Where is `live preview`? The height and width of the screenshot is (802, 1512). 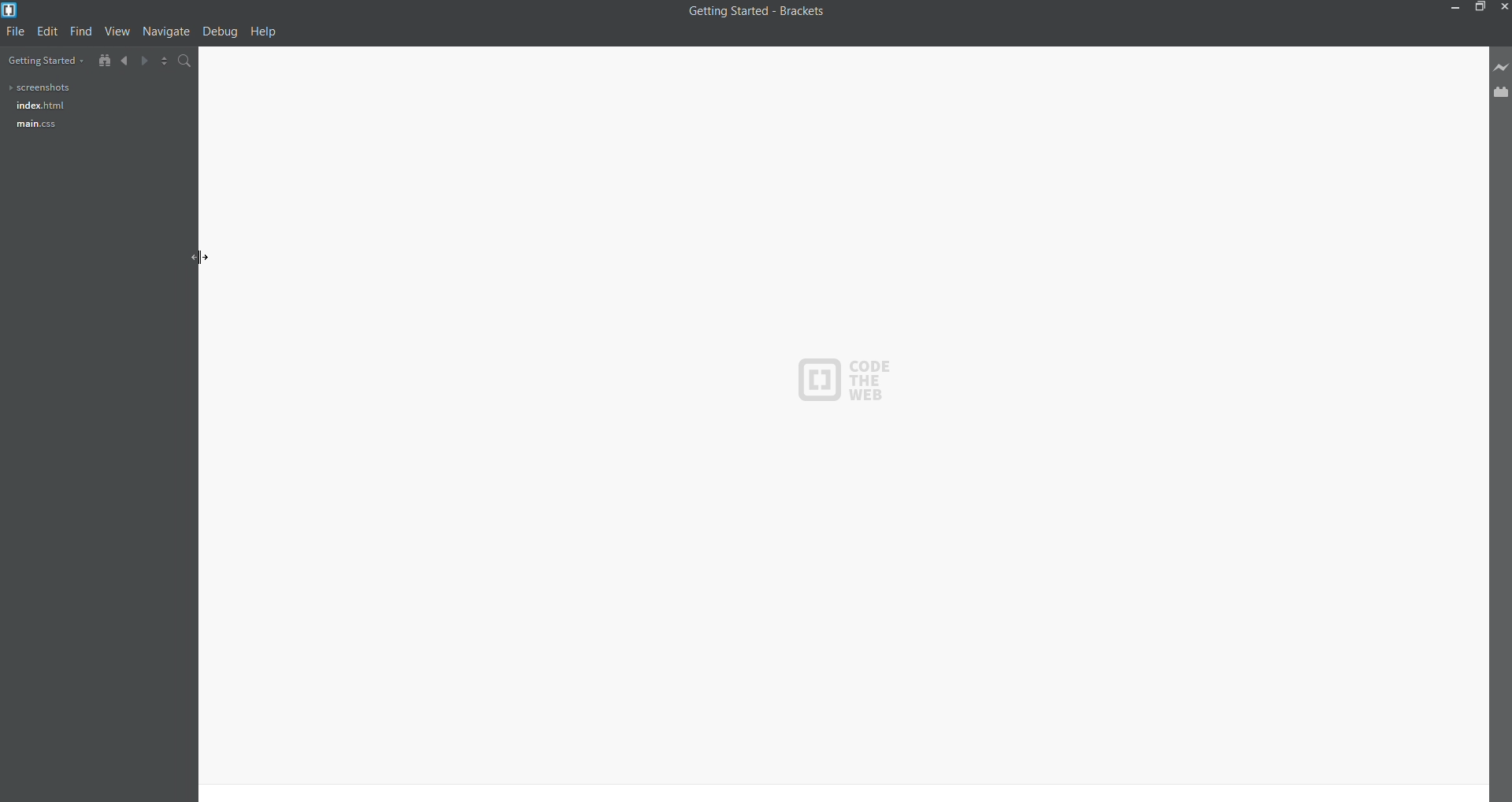 live preview is located at coordinates (1499, 67).